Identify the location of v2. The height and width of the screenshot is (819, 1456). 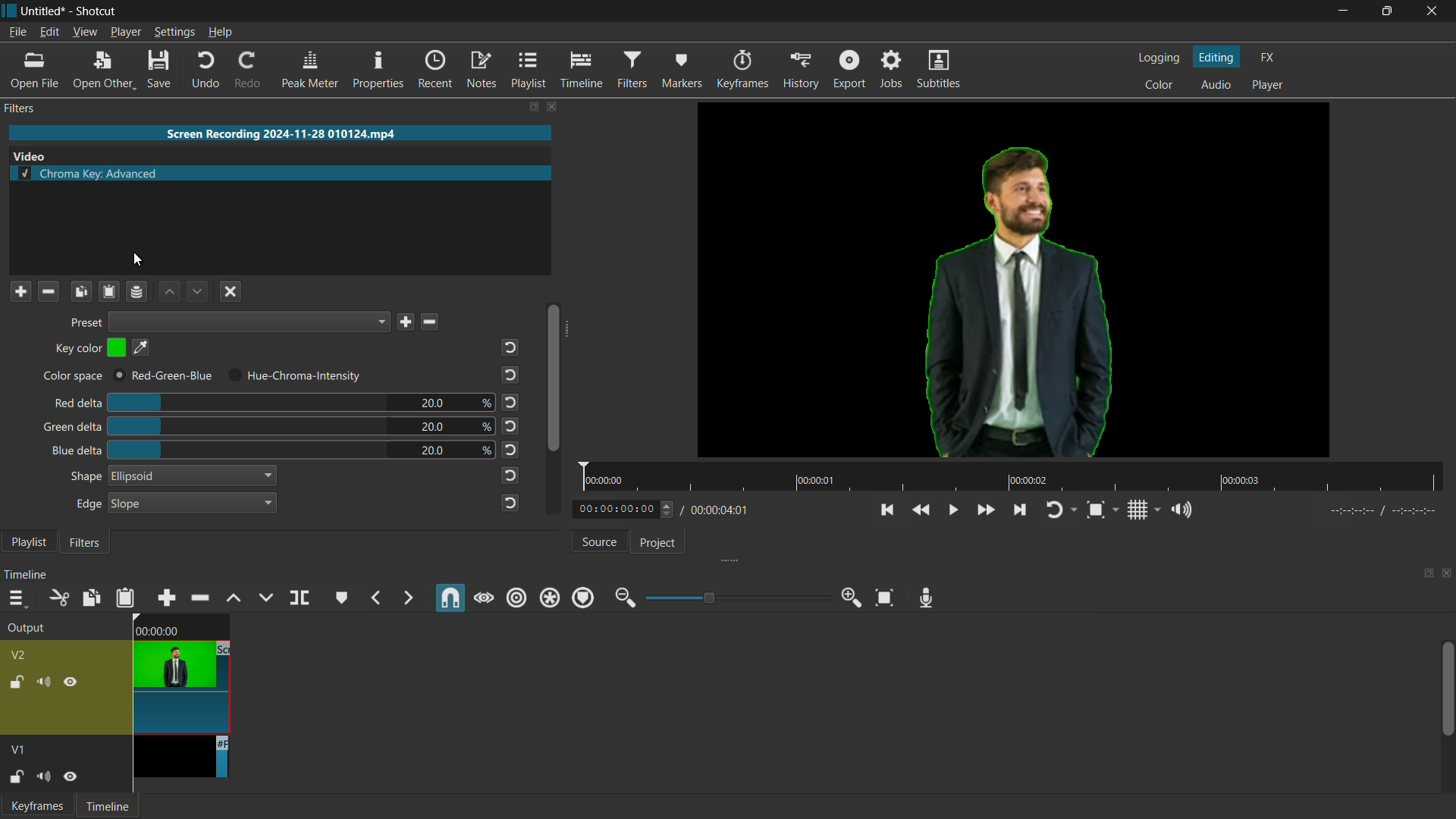
(22, 655).